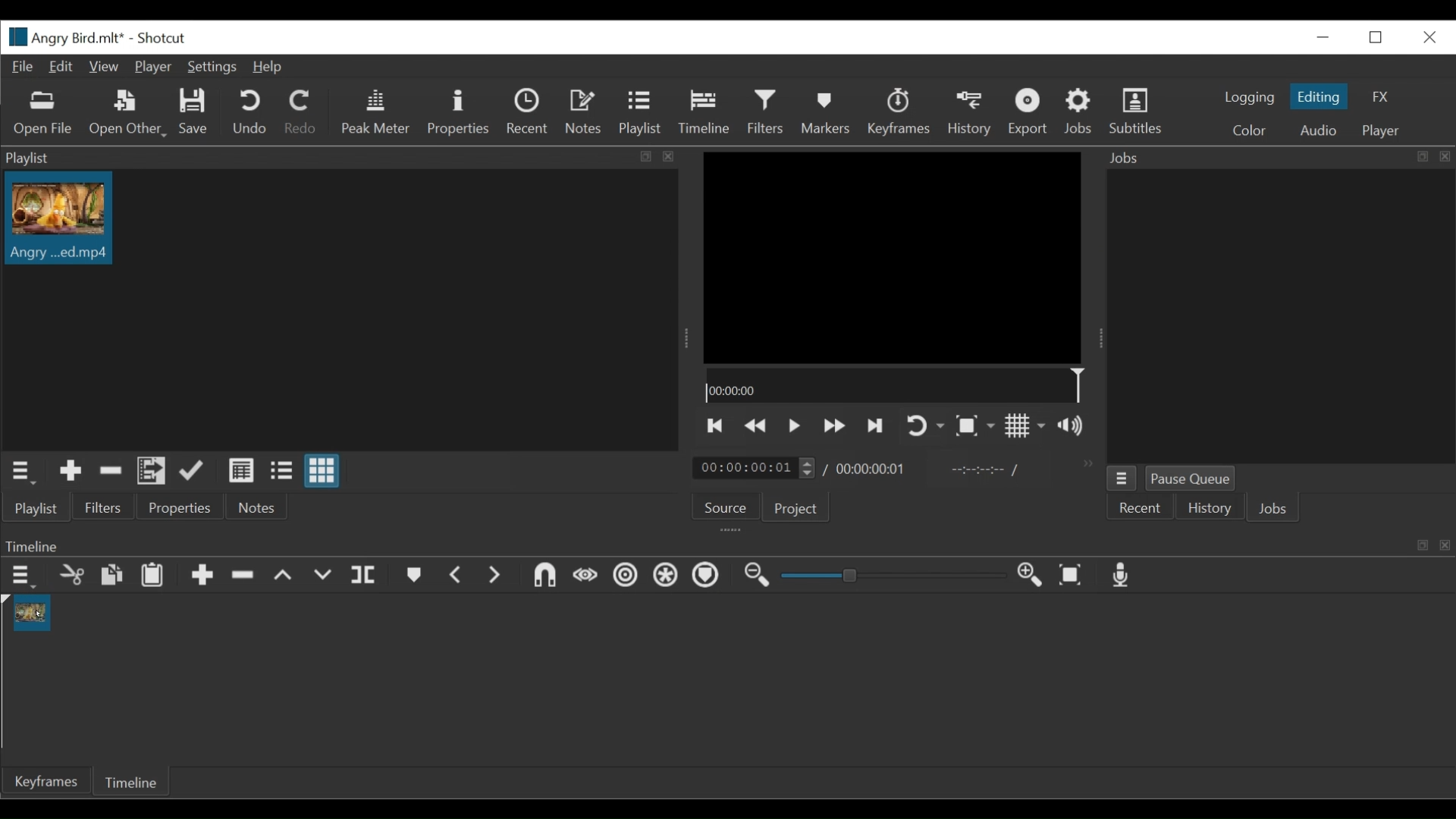  What do you see at coordinates (1026, 427) in the screenshot?
I see `Toggle grid display on player` at bounding box center [1026, 427].